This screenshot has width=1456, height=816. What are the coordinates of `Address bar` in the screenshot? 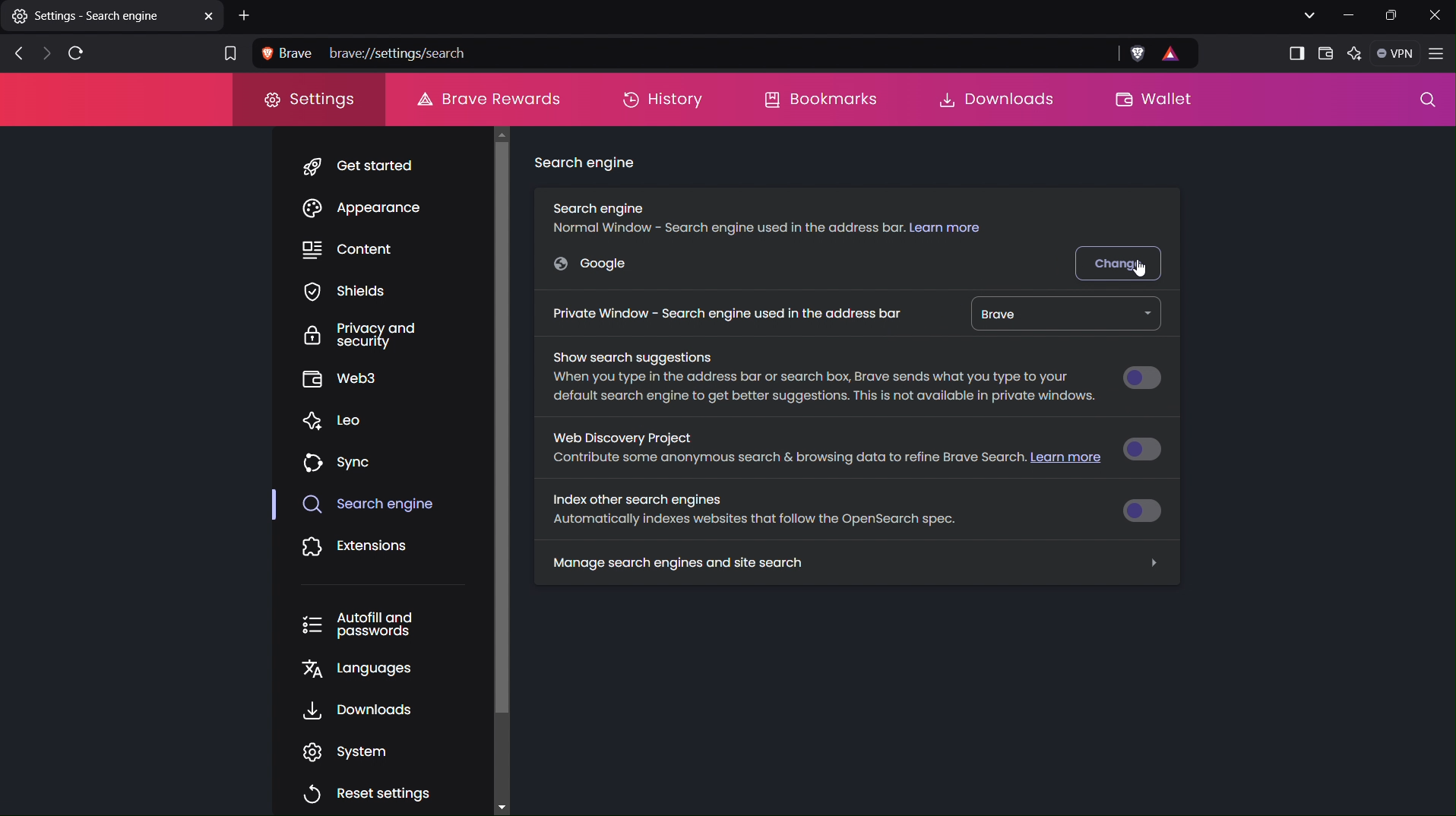 It's located at (679, 52).